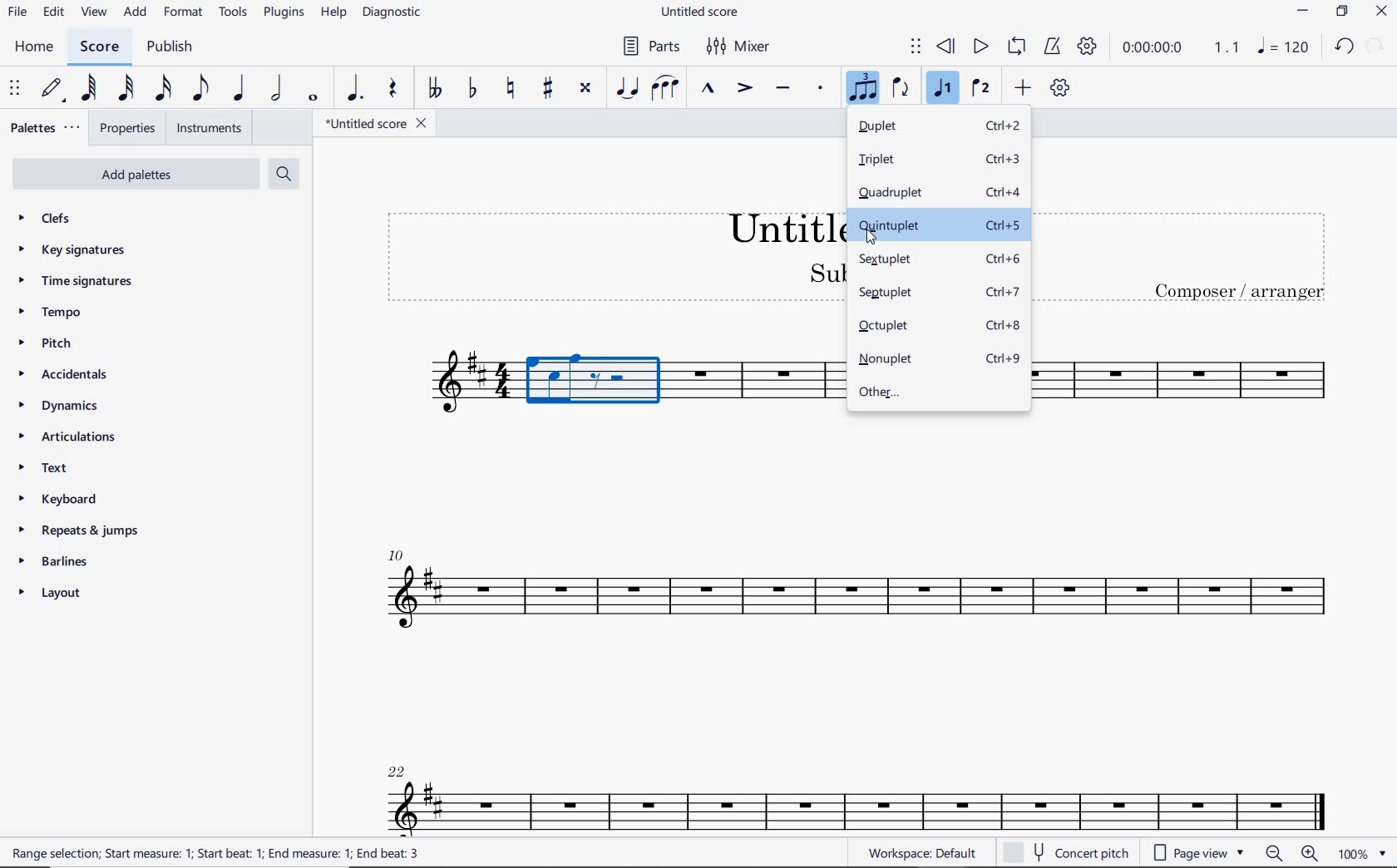 The image size is (1397, 868). I want to click on REST, so click(391, 90).